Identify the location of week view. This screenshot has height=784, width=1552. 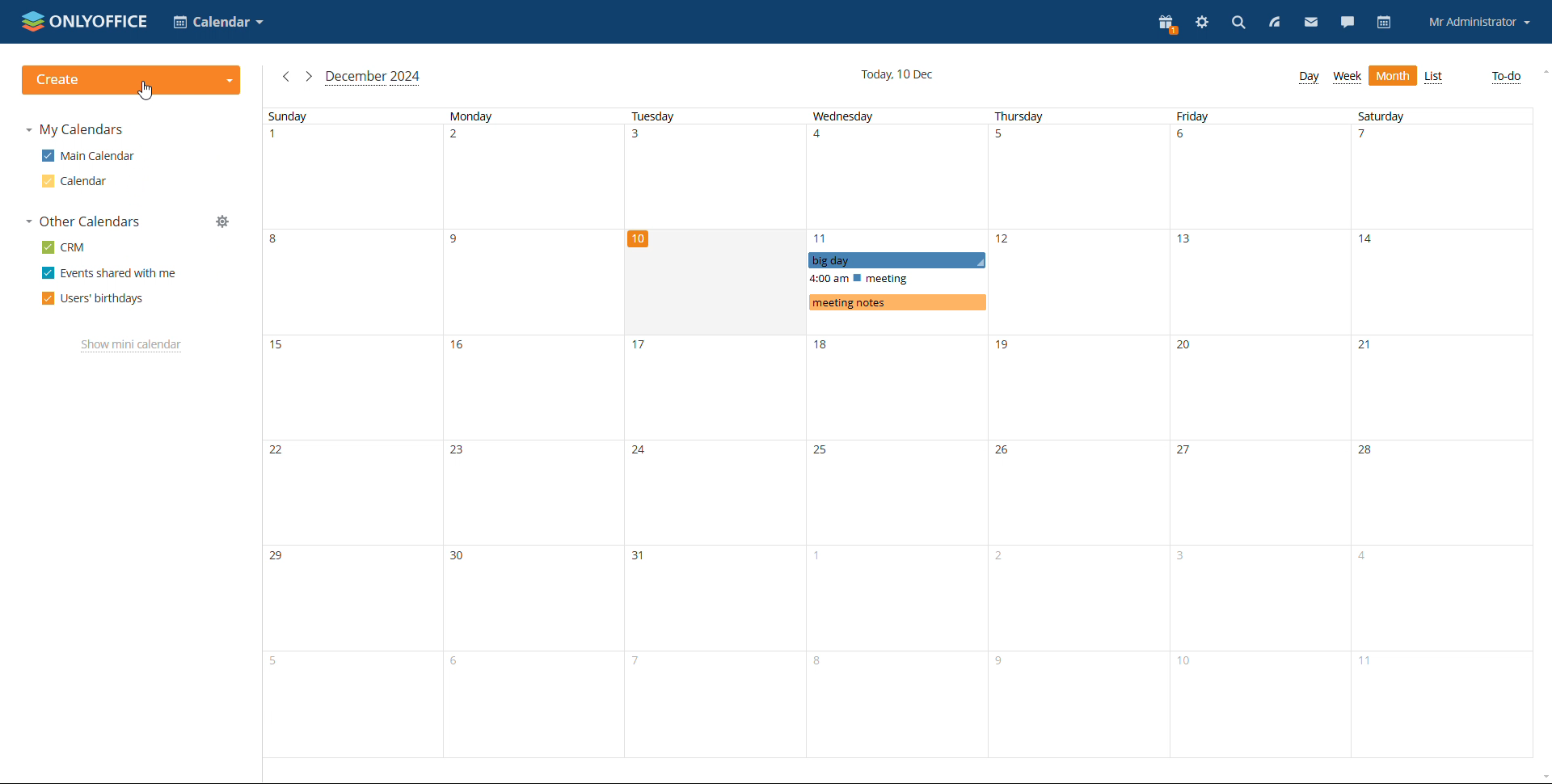
(1347, 77).